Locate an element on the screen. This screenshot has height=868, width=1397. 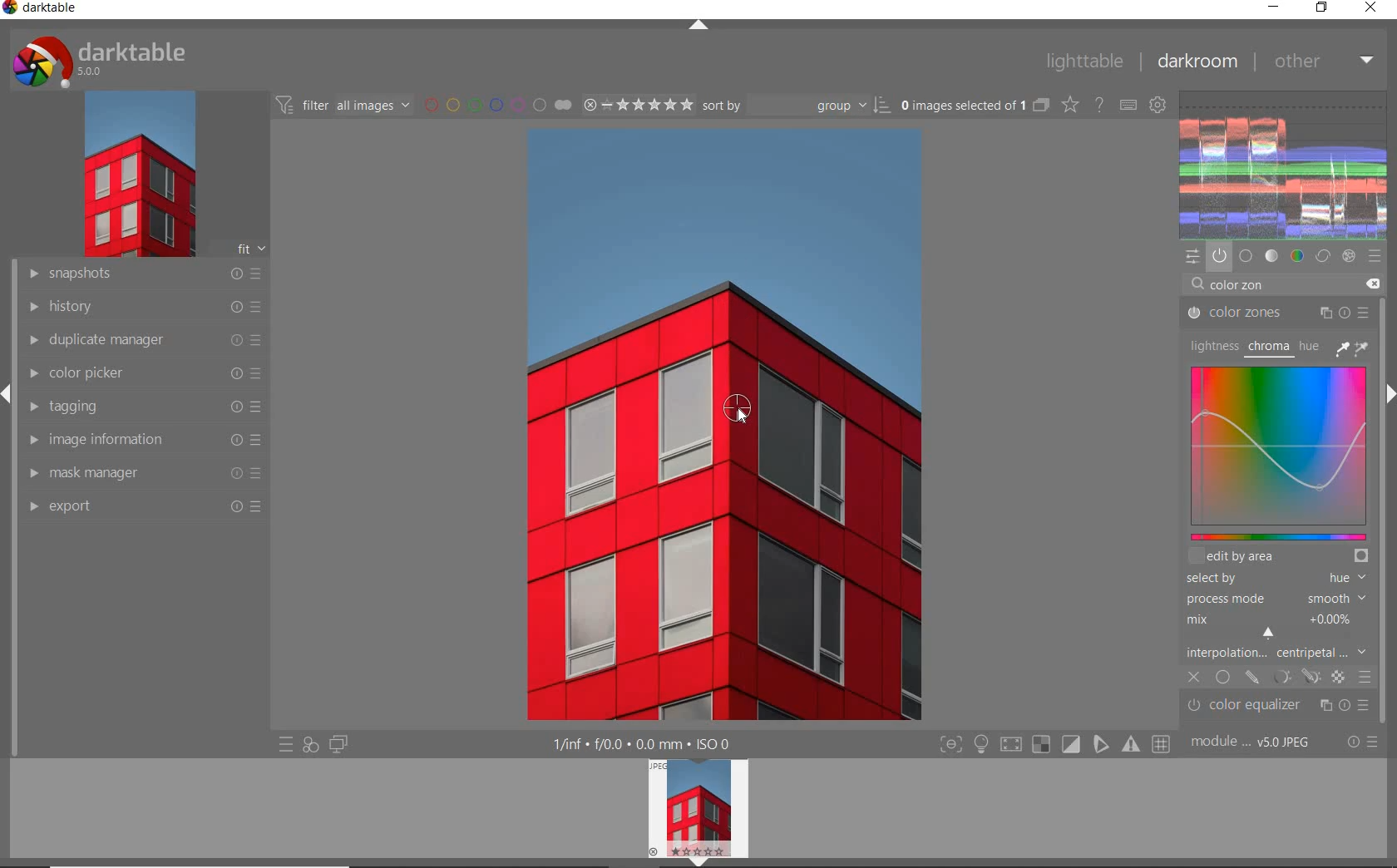
expand/collapse is located at coordinates (8, 392).